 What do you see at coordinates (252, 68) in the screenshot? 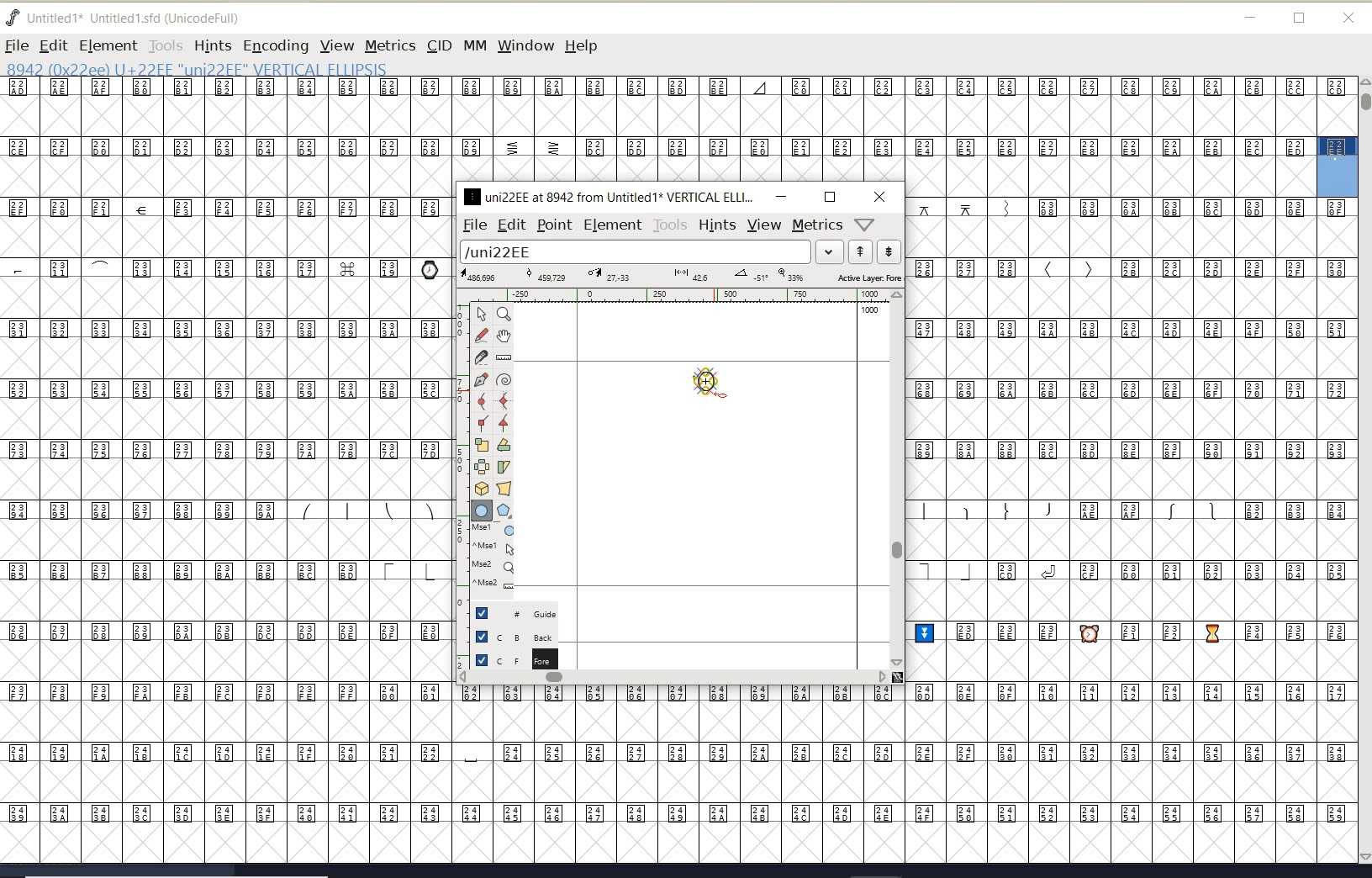
I see `8942 (0x22ee) U+22EE "uni22EE" VERTICAL EllIPSIS` at bounding box center [252, 68].